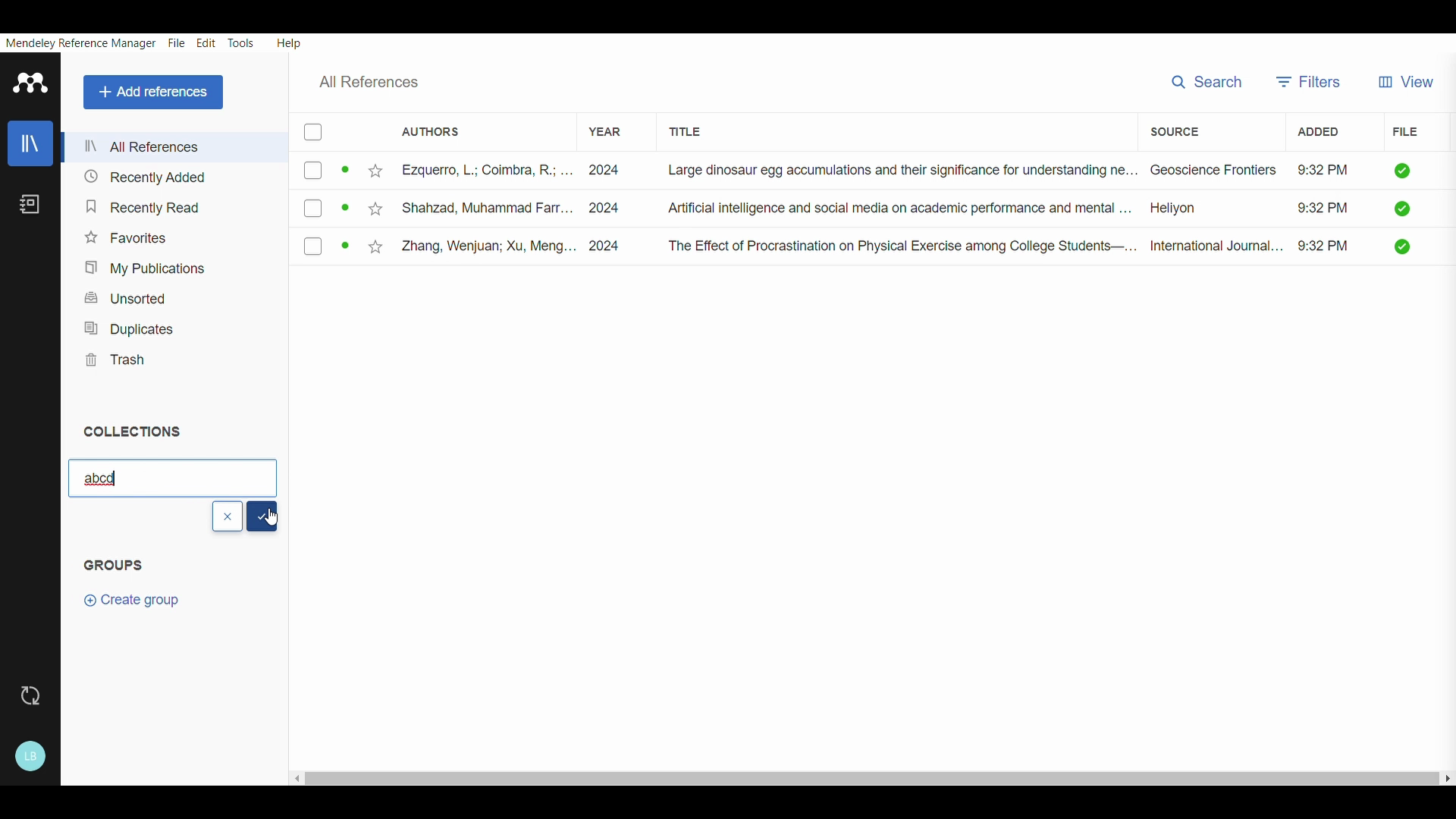 This screenshot has height=819, width=1456. What do you see at coordinates (1173, 130) in the screenshot?
I see `SOURCE` at bounding box center [1173, 130].